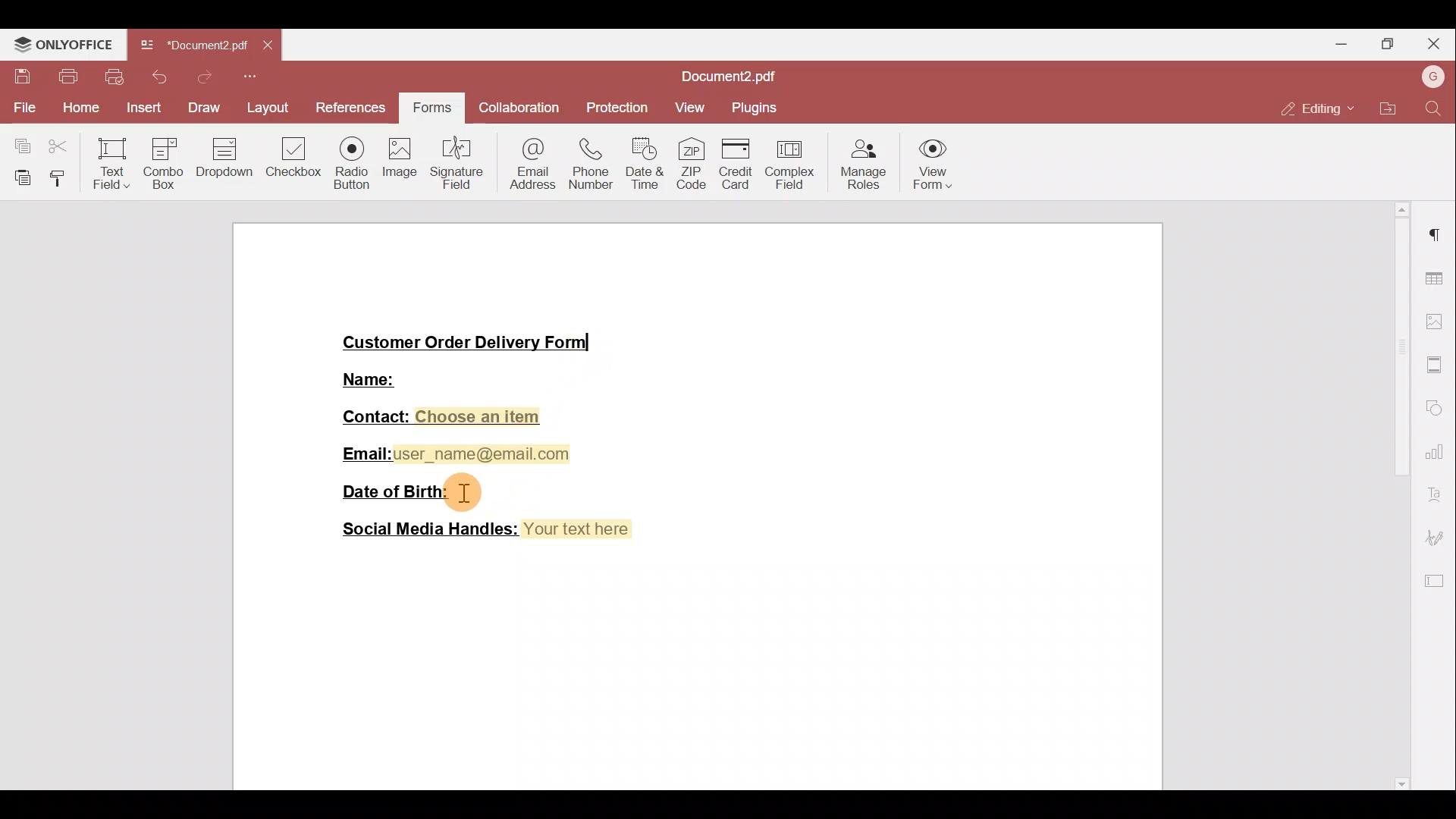  What do you see at coordinates (110, 163) in the screenshot?
I see `Text field` at bounding box center [110, 163].